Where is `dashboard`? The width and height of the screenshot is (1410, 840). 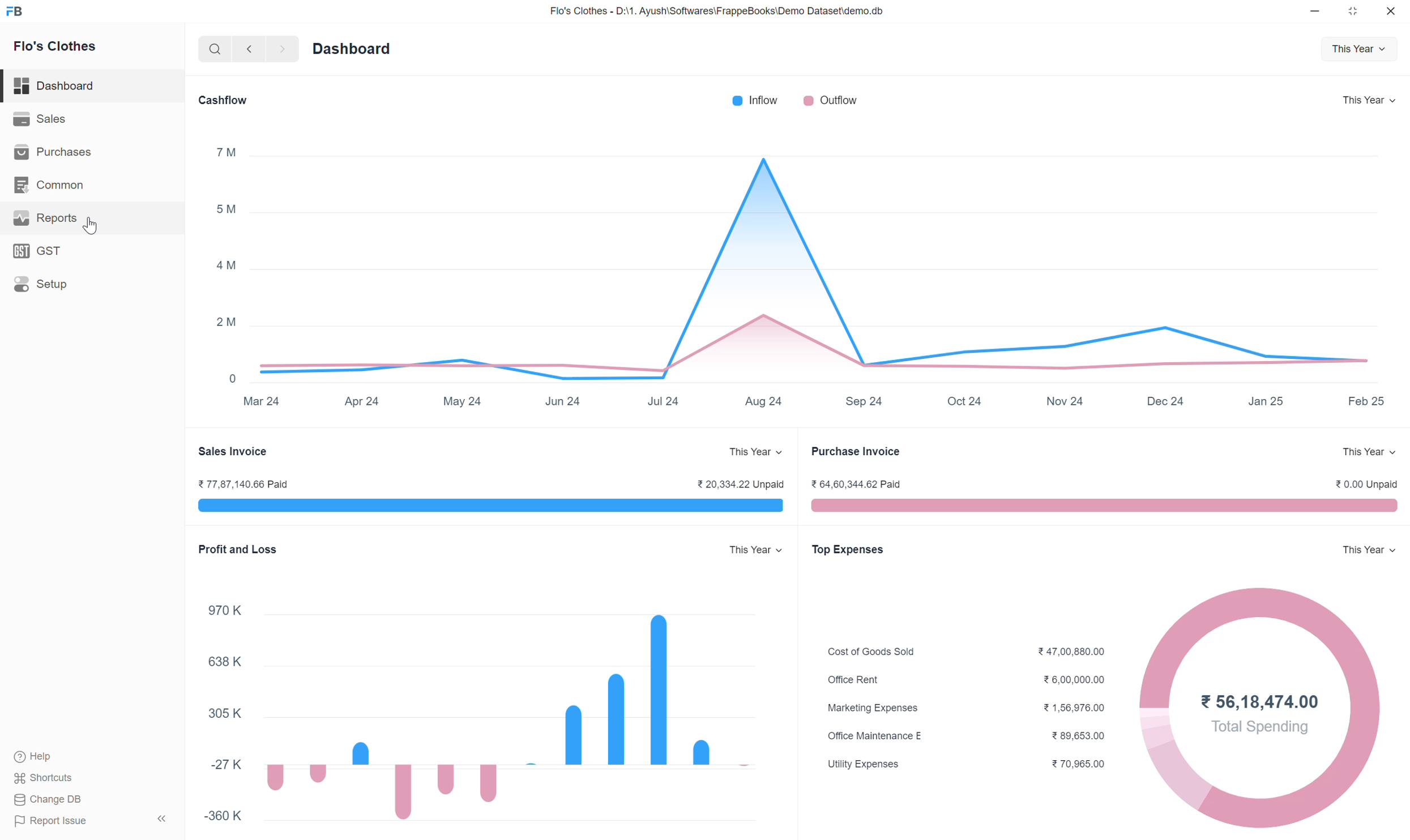 dashboard is located at coordinates (350, 48).